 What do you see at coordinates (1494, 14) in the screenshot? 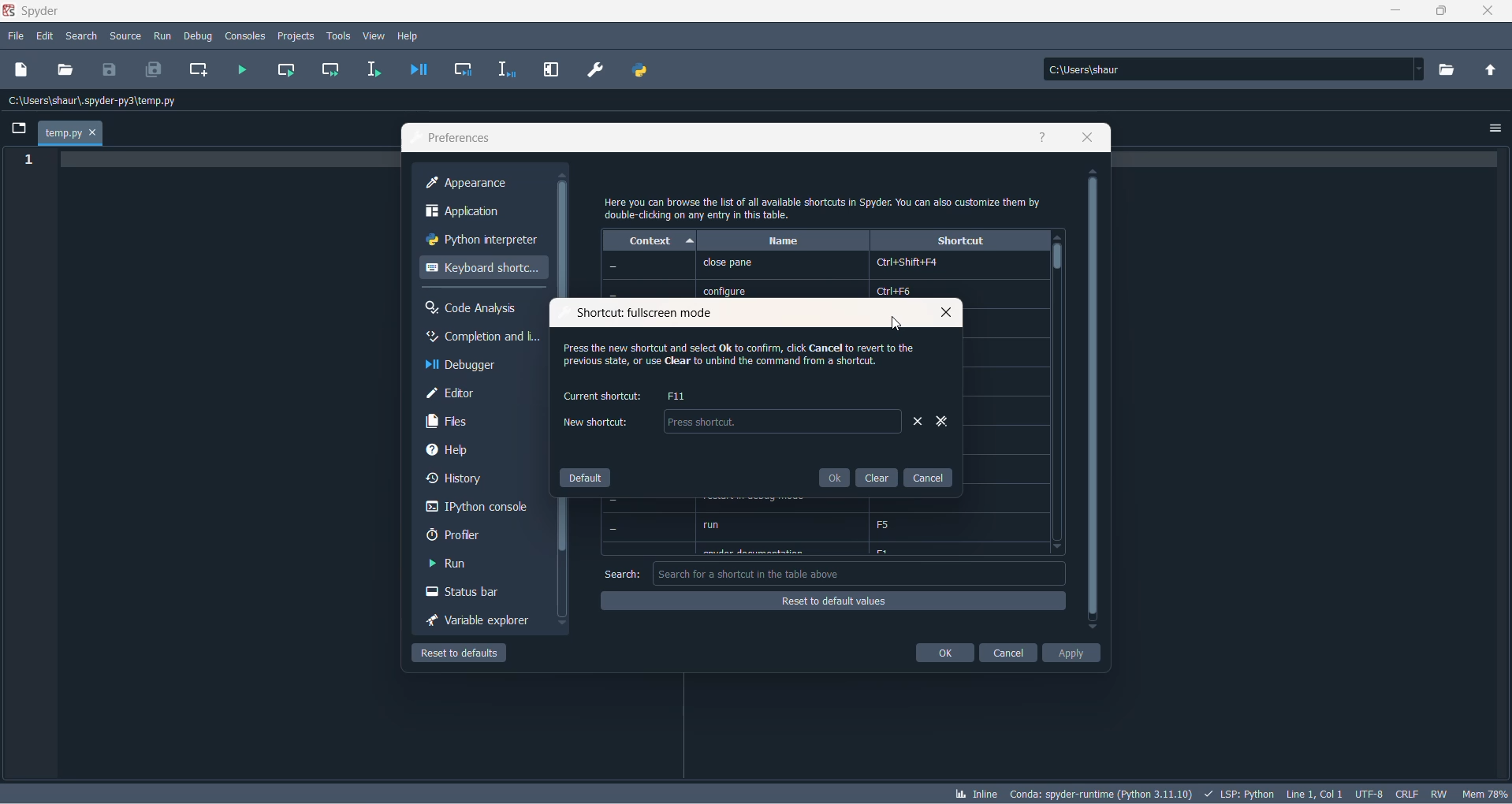
I see `close` at bounding box center [1494, 14].